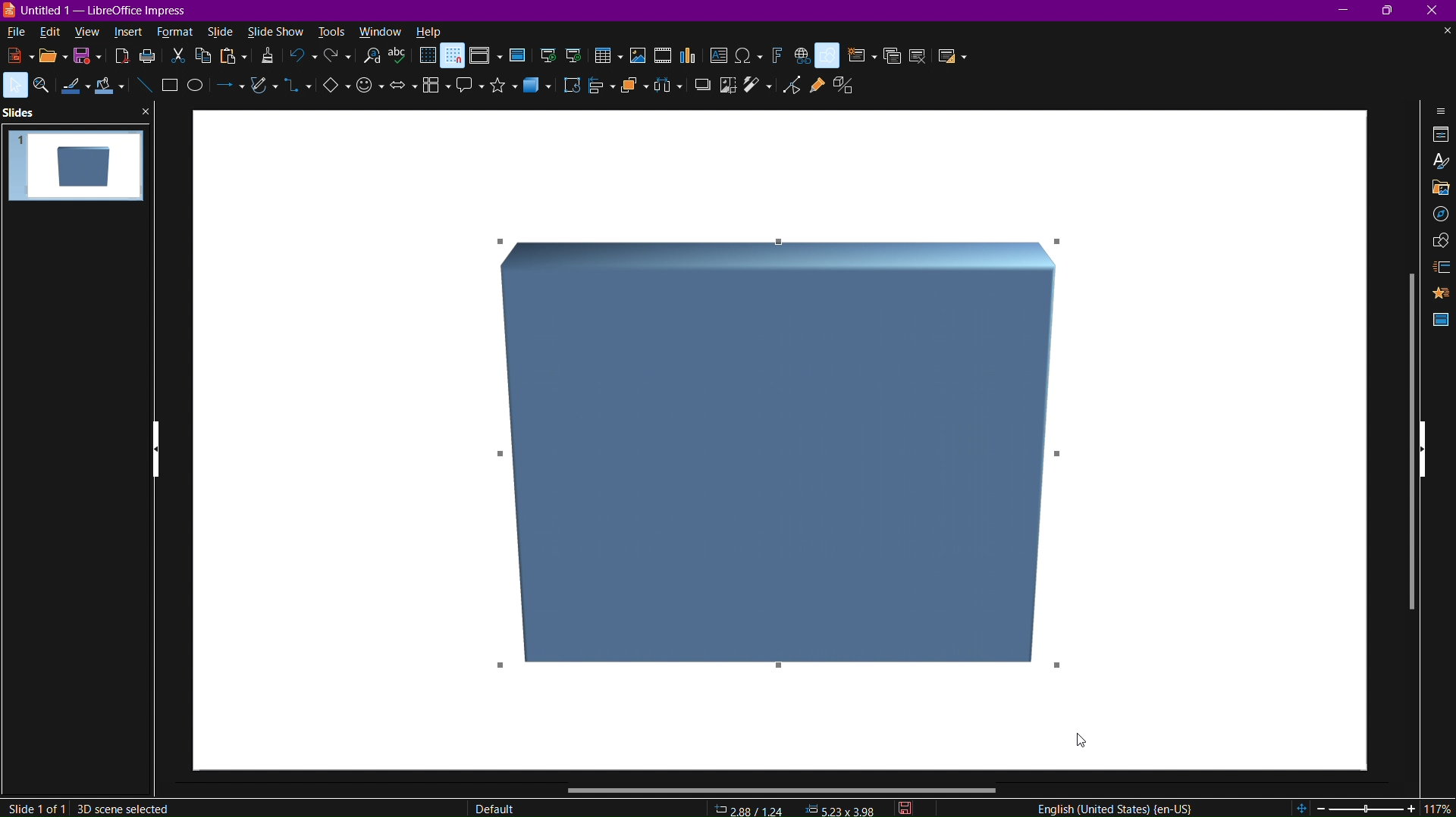 The height and width of the screenshot is (817, 1456). What do you see at coordinates (297, 92) in the screenshot?
I see `Connectors` at bounding box center [297, 92].